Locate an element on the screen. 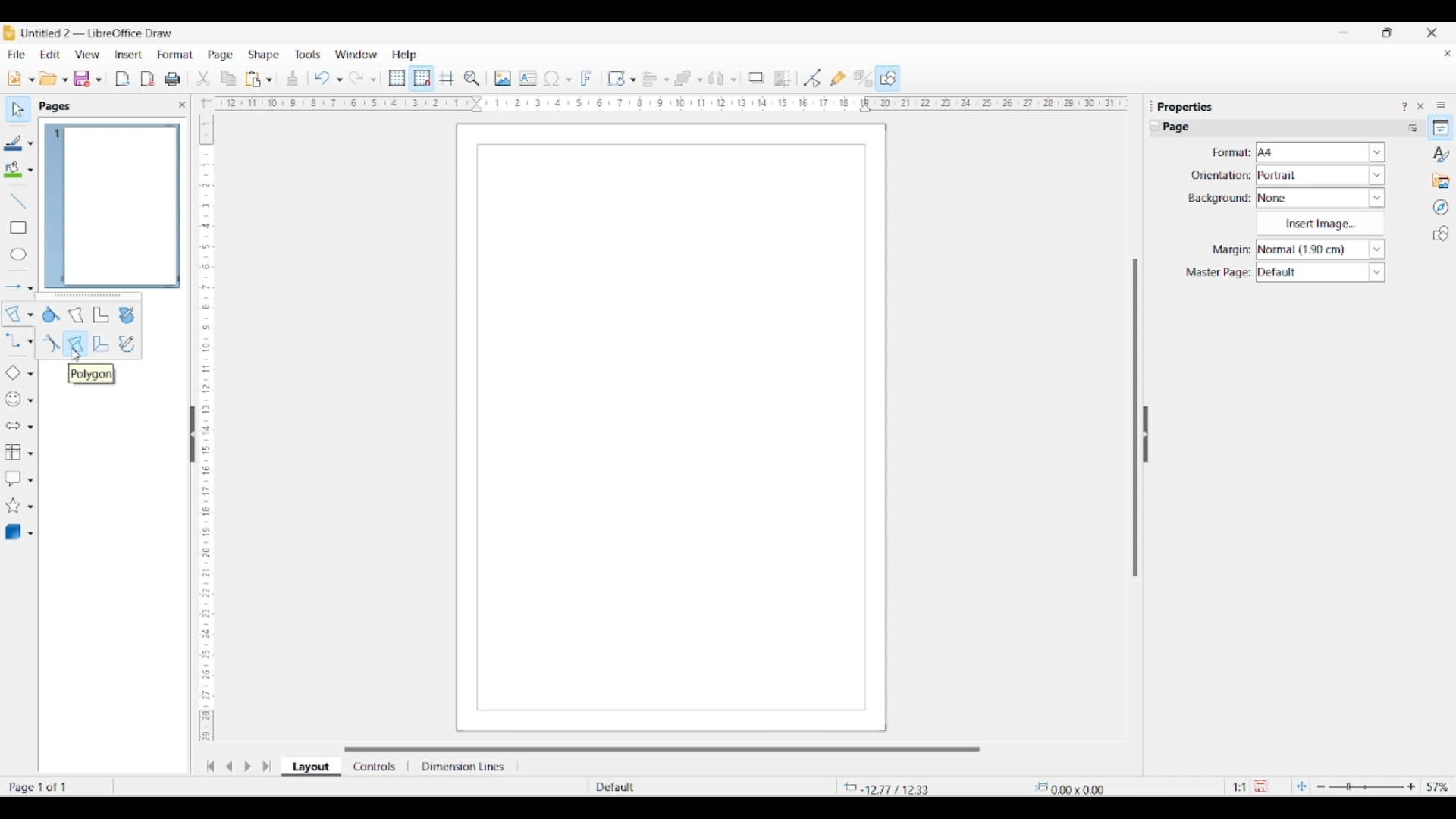 The width and height of the screenshot is (1456, 819). Undo specific actions is located at coordinates (339, 80).